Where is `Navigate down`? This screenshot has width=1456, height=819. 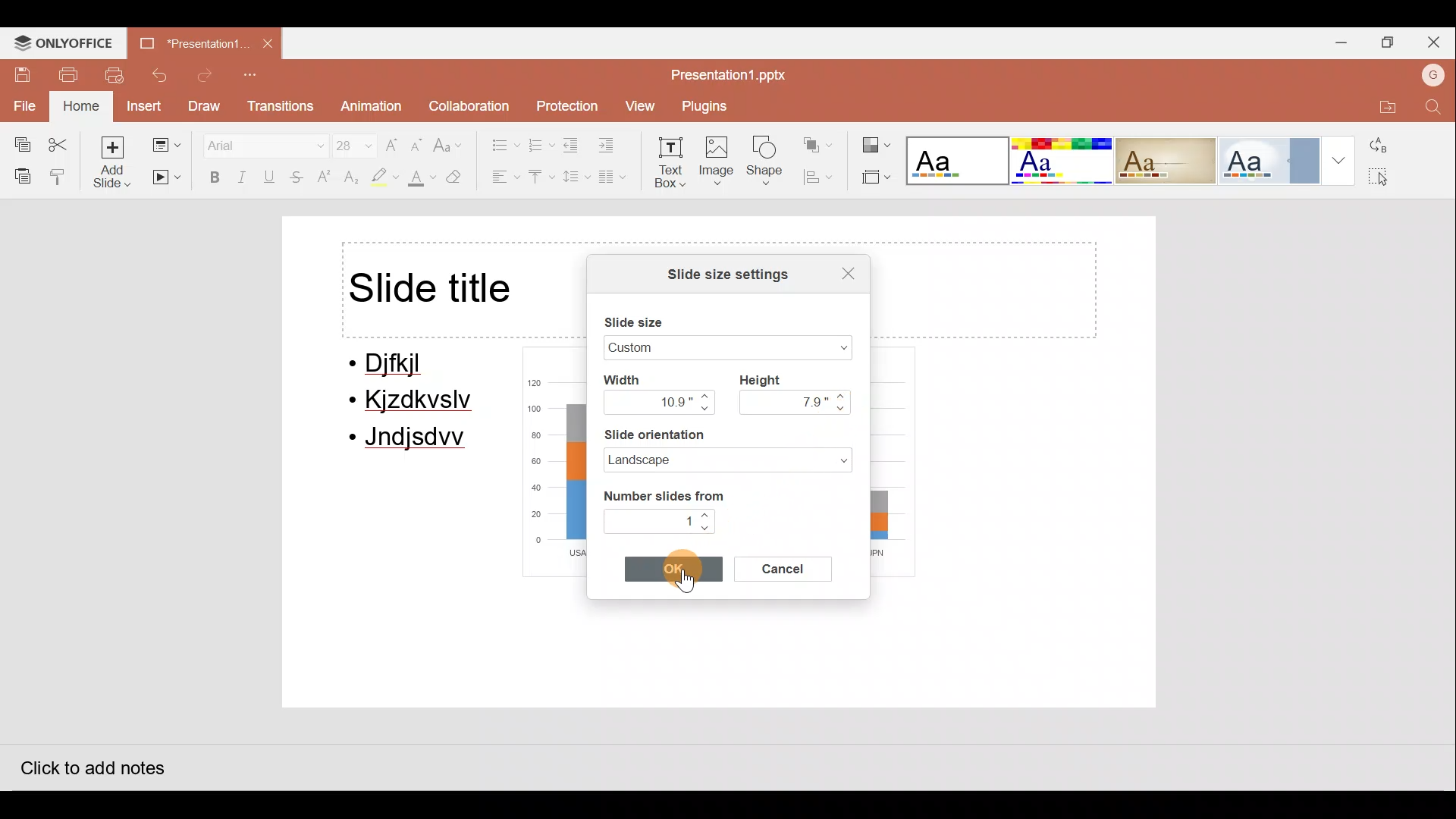 Navigate down is located at coordinates (708, 529).